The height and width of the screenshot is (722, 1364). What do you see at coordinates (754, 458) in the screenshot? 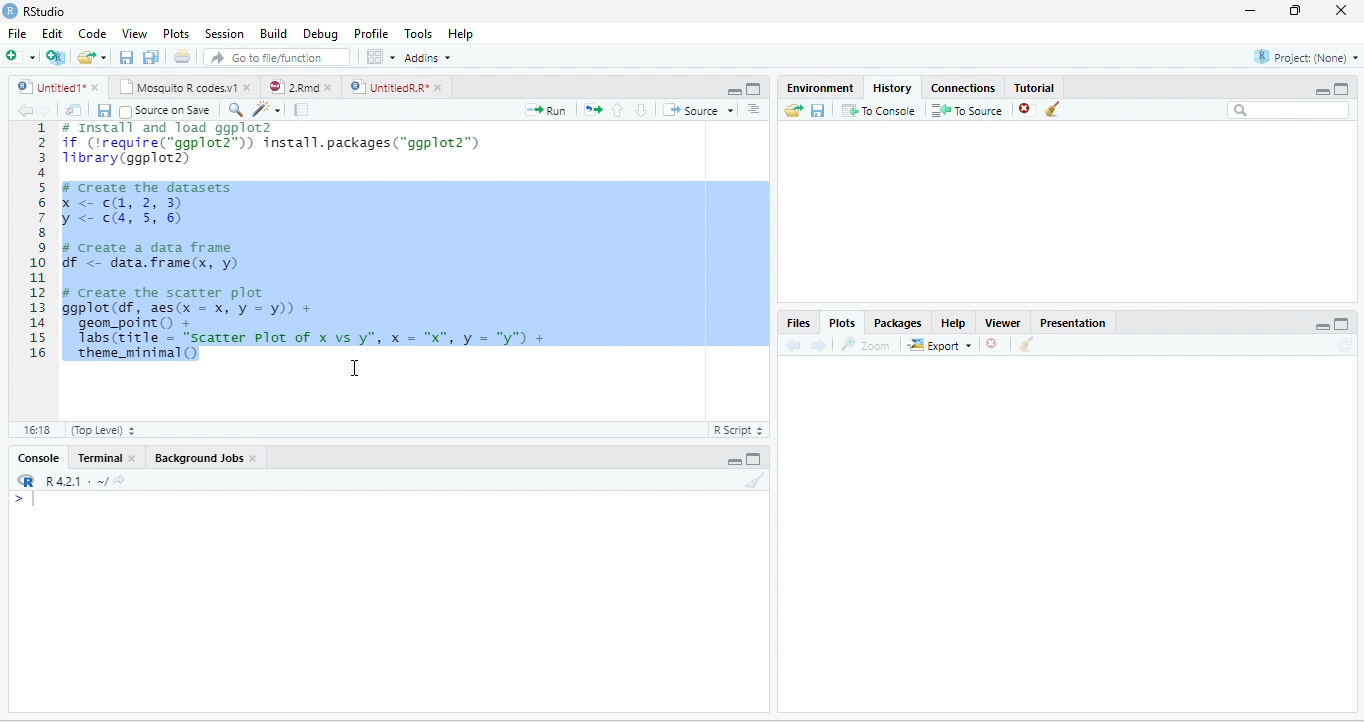
I see `Maximize` at bounding box center [754, 458].